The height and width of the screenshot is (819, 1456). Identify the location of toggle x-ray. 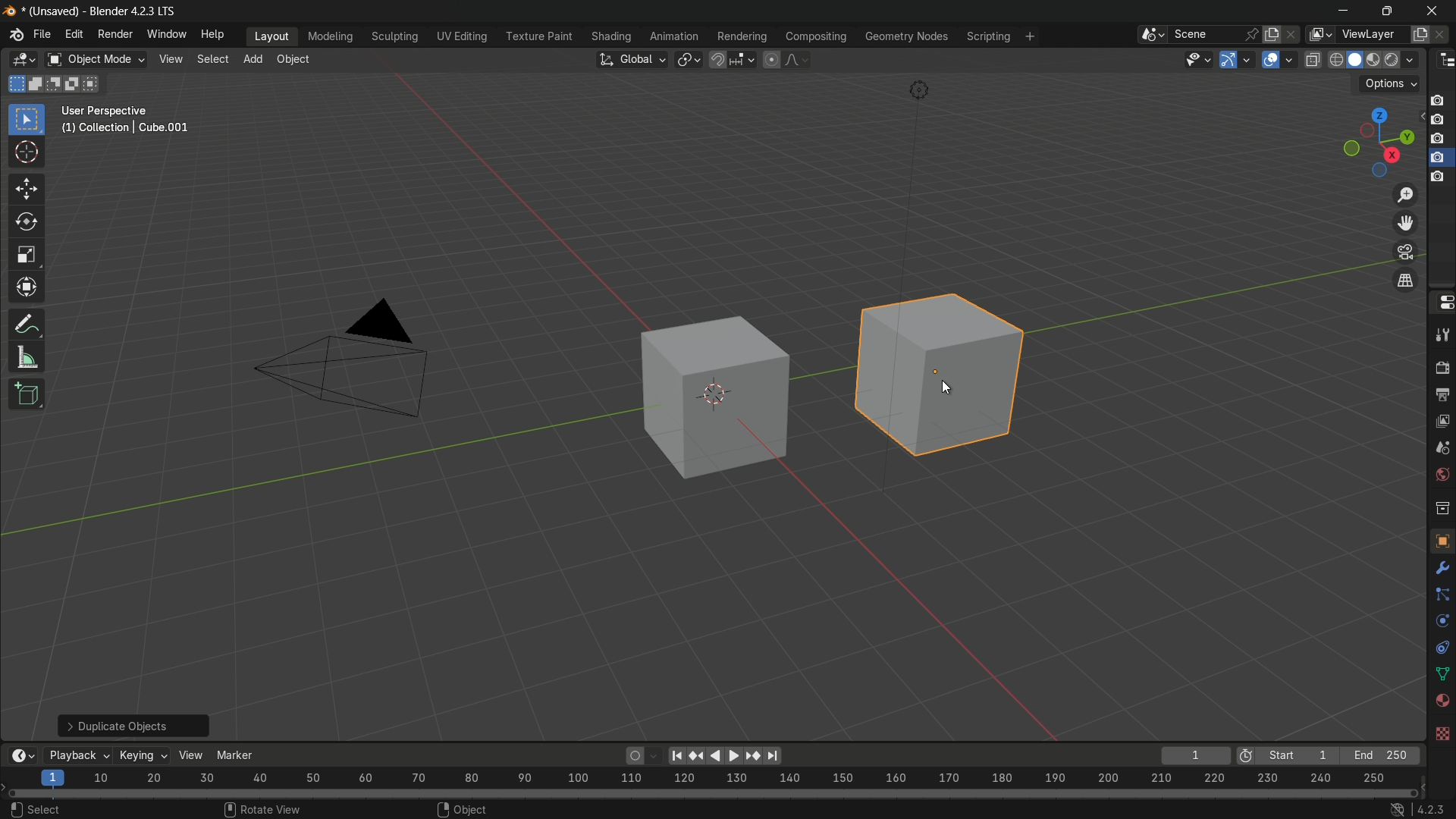
(1313, 59).